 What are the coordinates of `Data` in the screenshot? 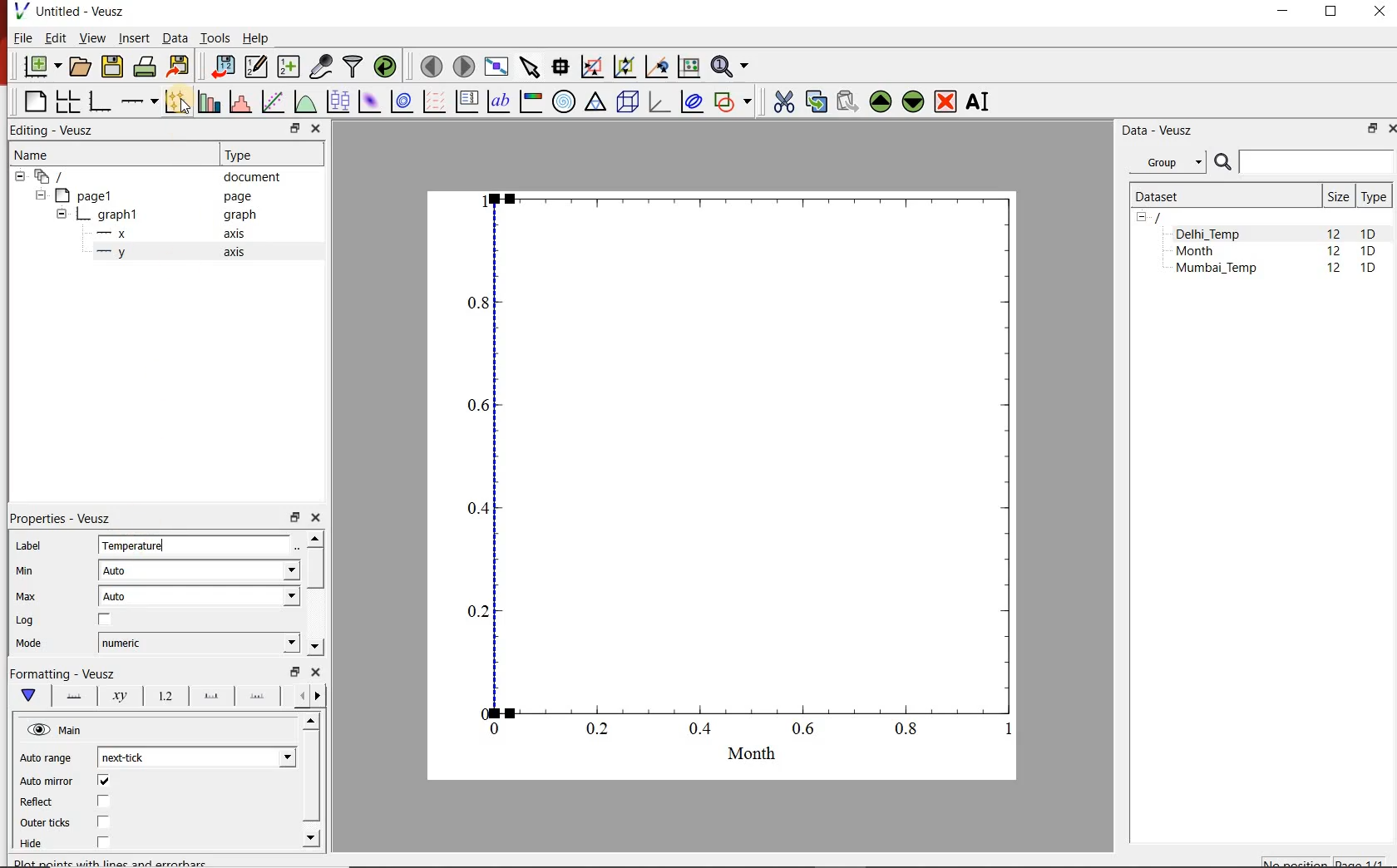 It's located at (174, 37).